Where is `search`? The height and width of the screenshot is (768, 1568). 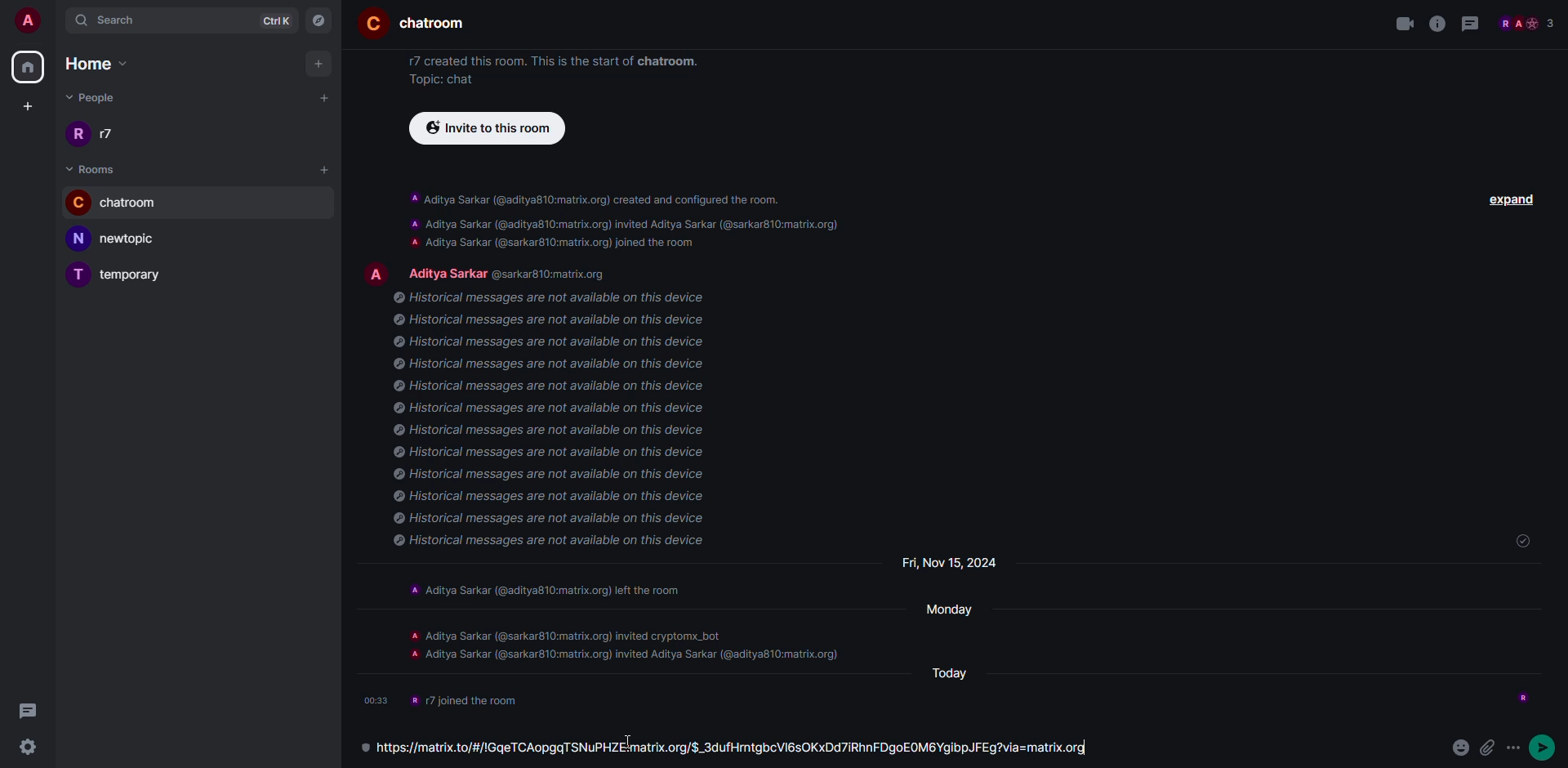
search is located at coordinates (109, 19).